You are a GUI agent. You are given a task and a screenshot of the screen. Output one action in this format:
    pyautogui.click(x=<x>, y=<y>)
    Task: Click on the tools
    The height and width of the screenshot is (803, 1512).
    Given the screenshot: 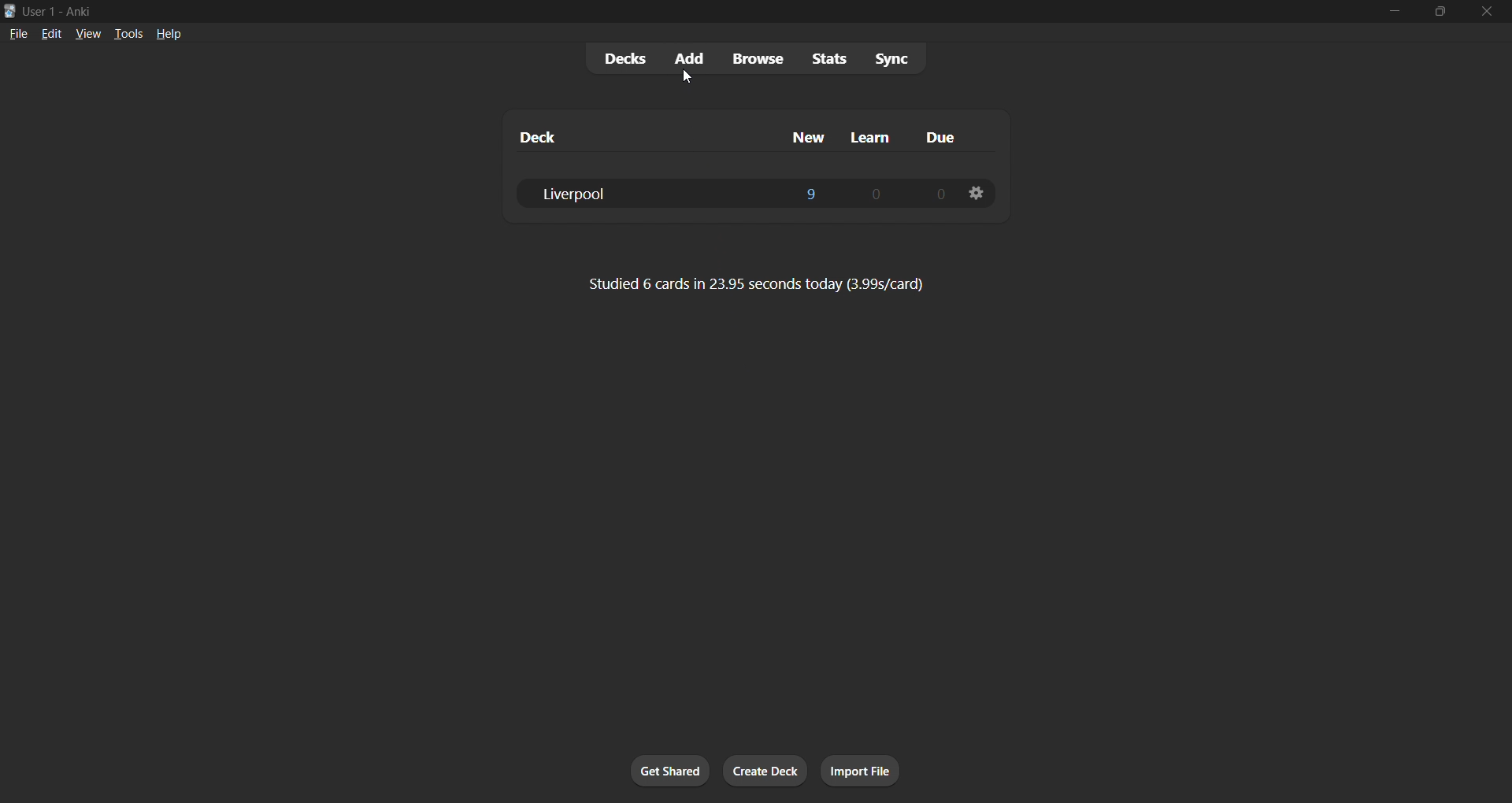 What is the action you would take?
    pyautogui.click(x=126, y=35)
    